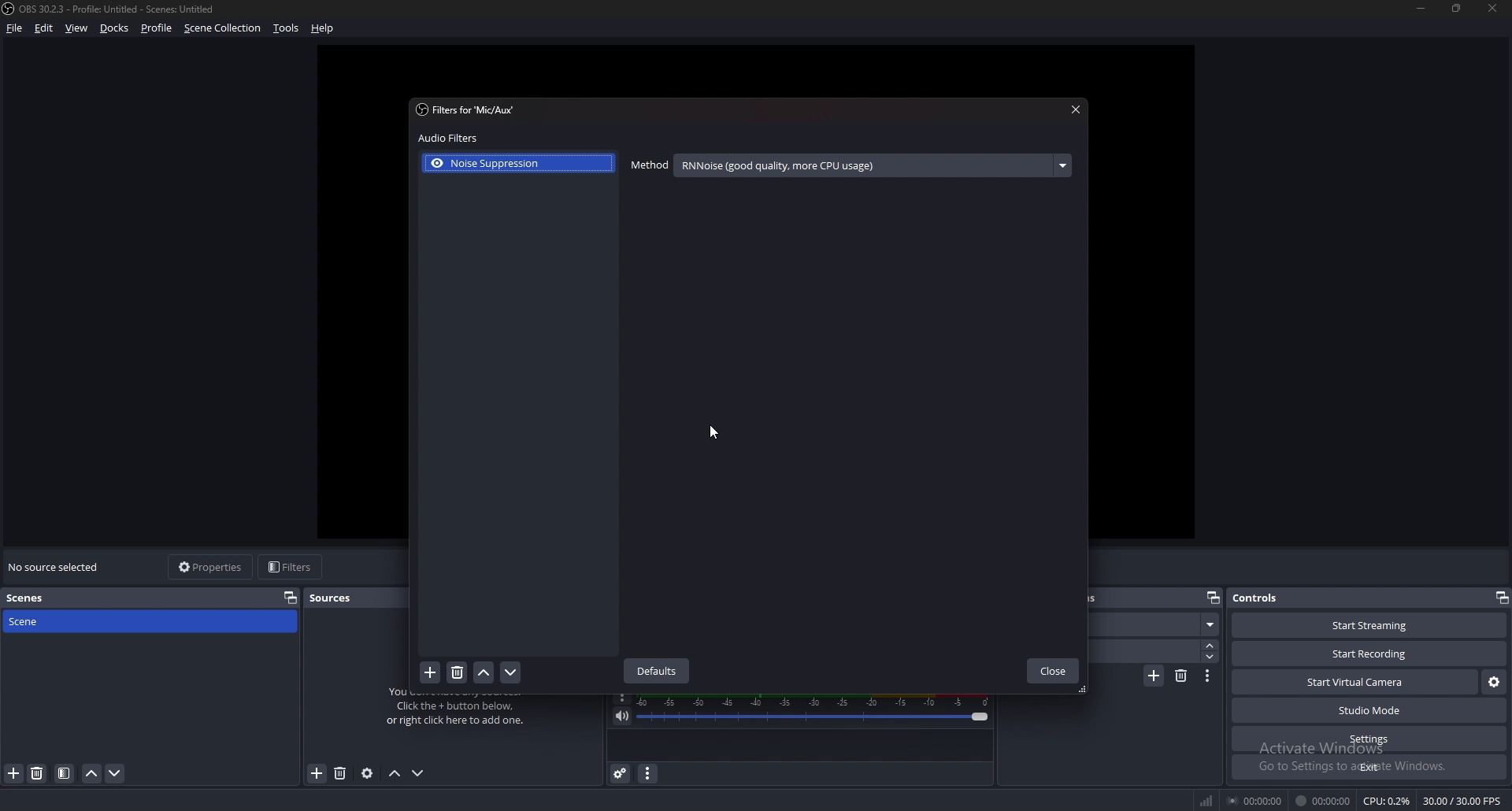 Image resolution: width=1512 pixels, height=811 pixels. Describe the element at coordinates (1388, 802) in the screenshot. I see `CPU: 0.3%` at that location.